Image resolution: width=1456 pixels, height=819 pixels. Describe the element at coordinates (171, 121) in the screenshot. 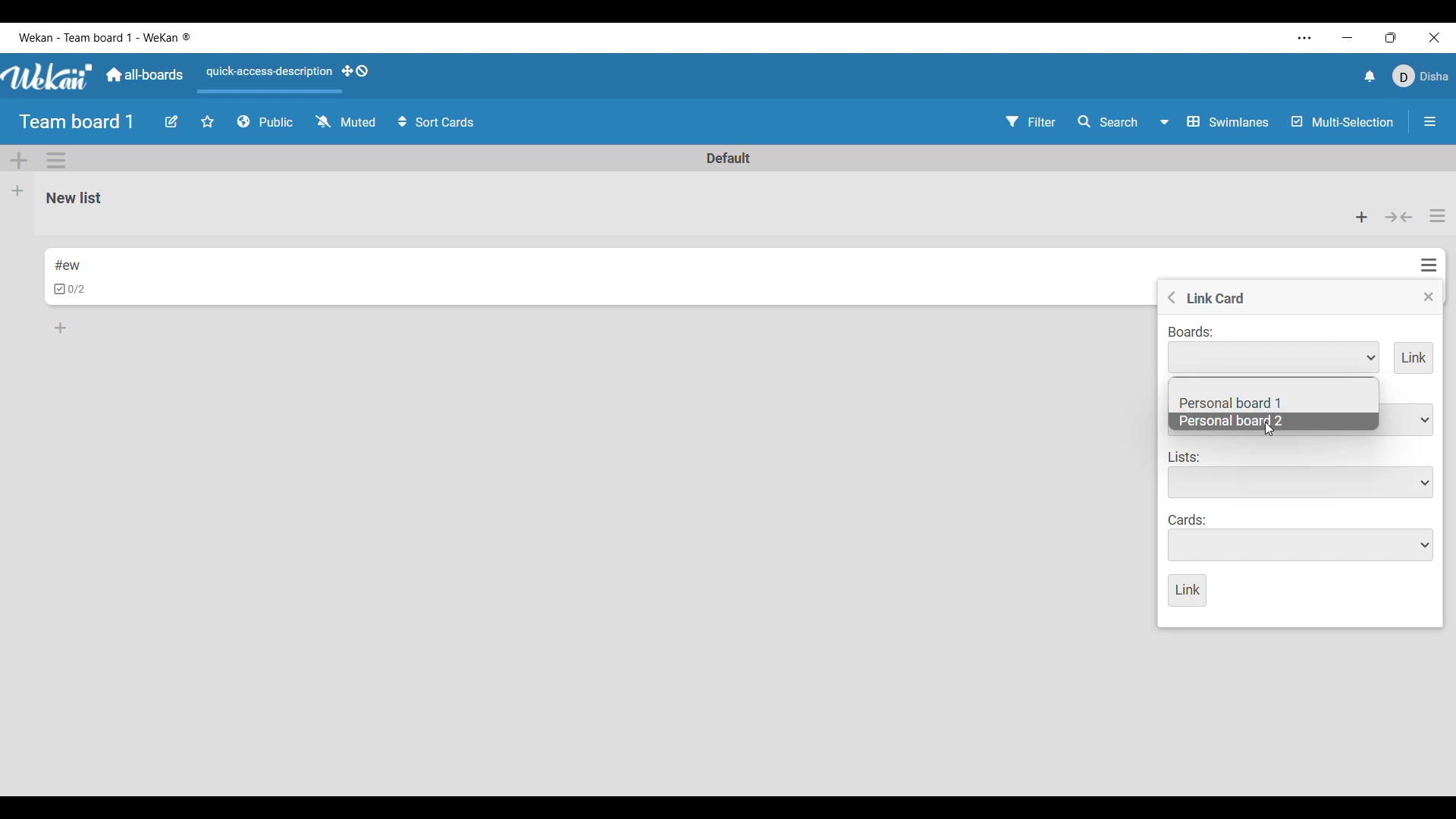

I see `Edit board` at that location.